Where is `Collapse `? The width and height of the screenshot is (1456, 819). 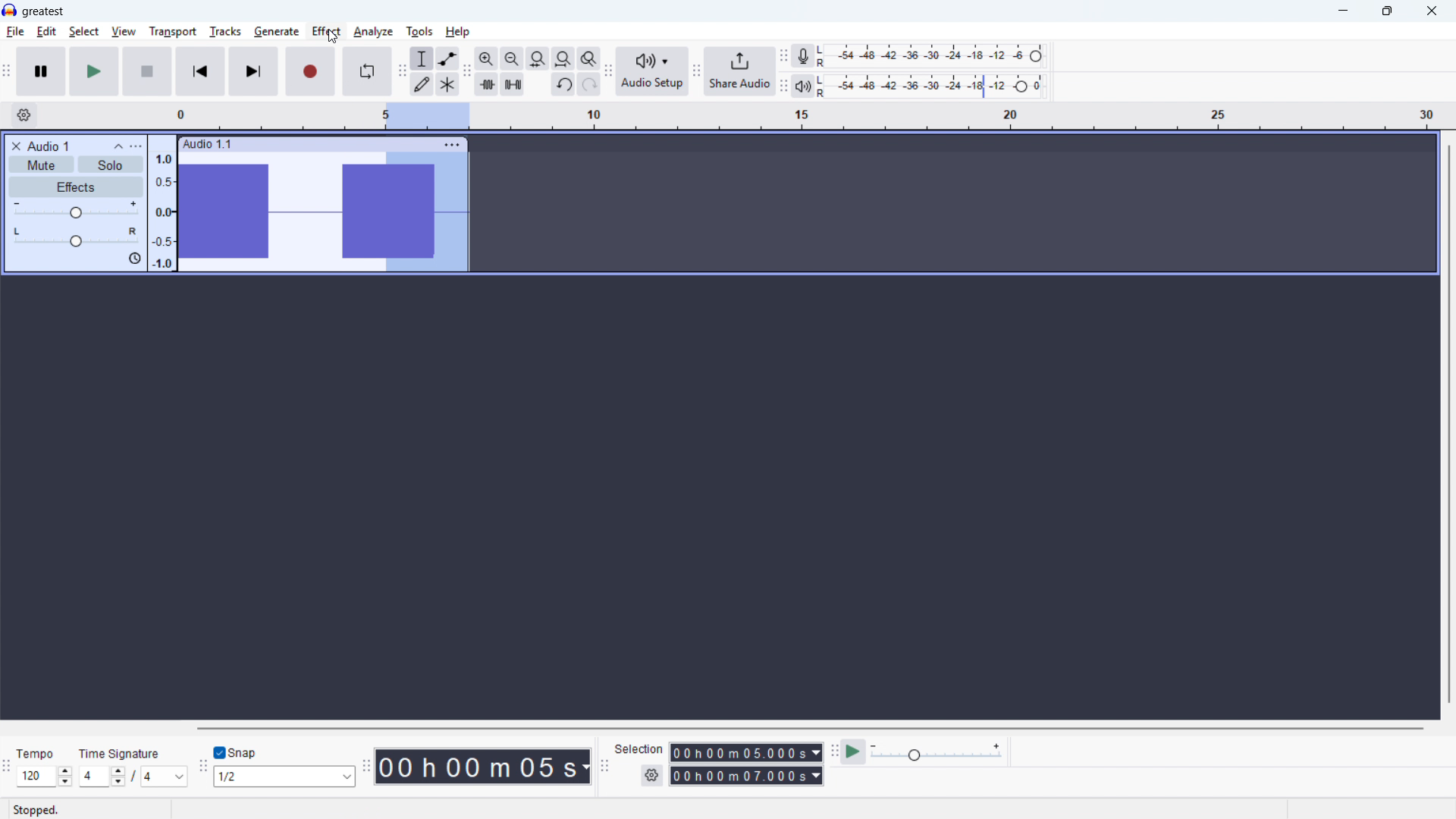
Collapse  is located at coordinates (118, 146).